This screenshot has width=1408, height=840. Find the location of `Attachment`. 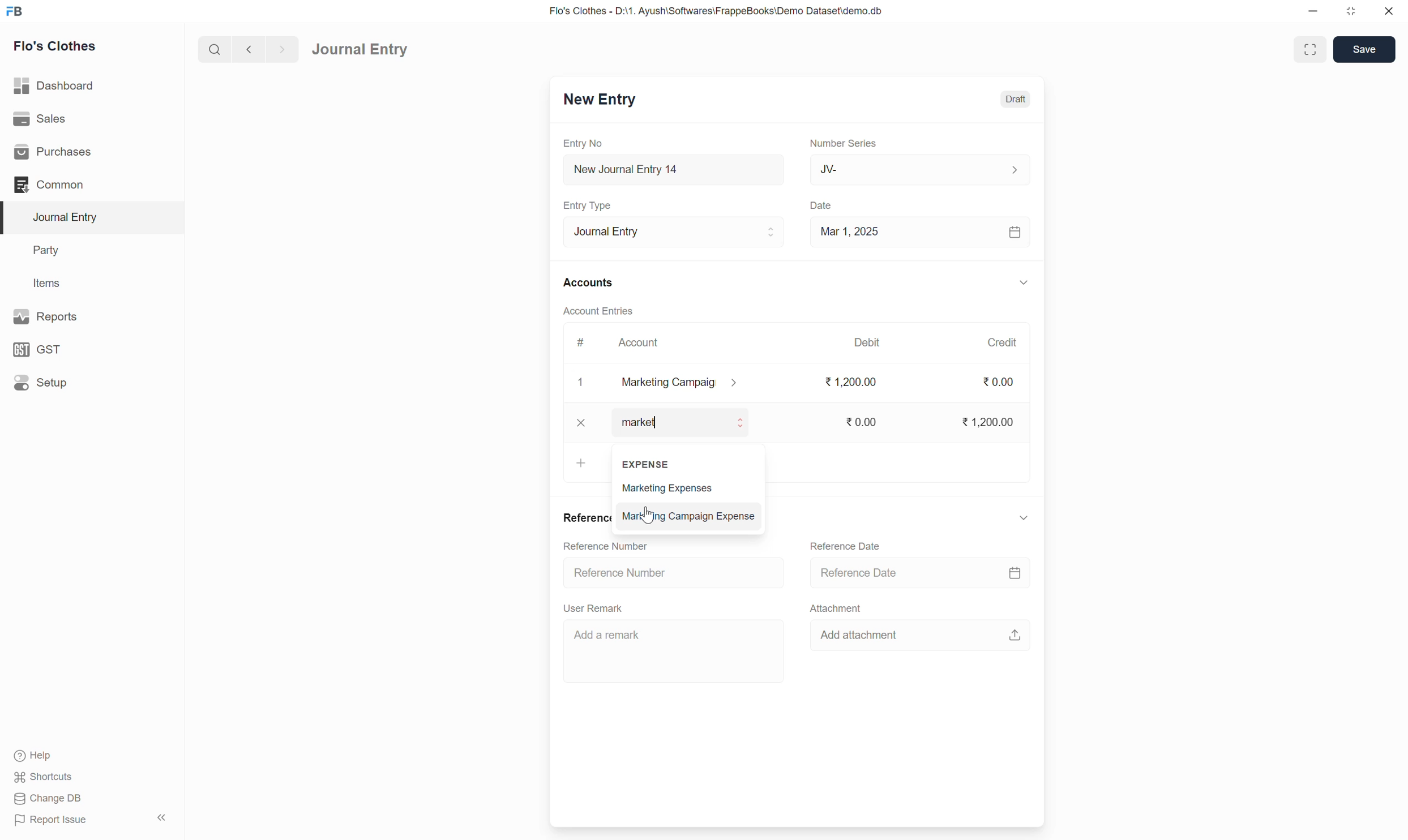

Attachment is located at coordinates (836, 608).